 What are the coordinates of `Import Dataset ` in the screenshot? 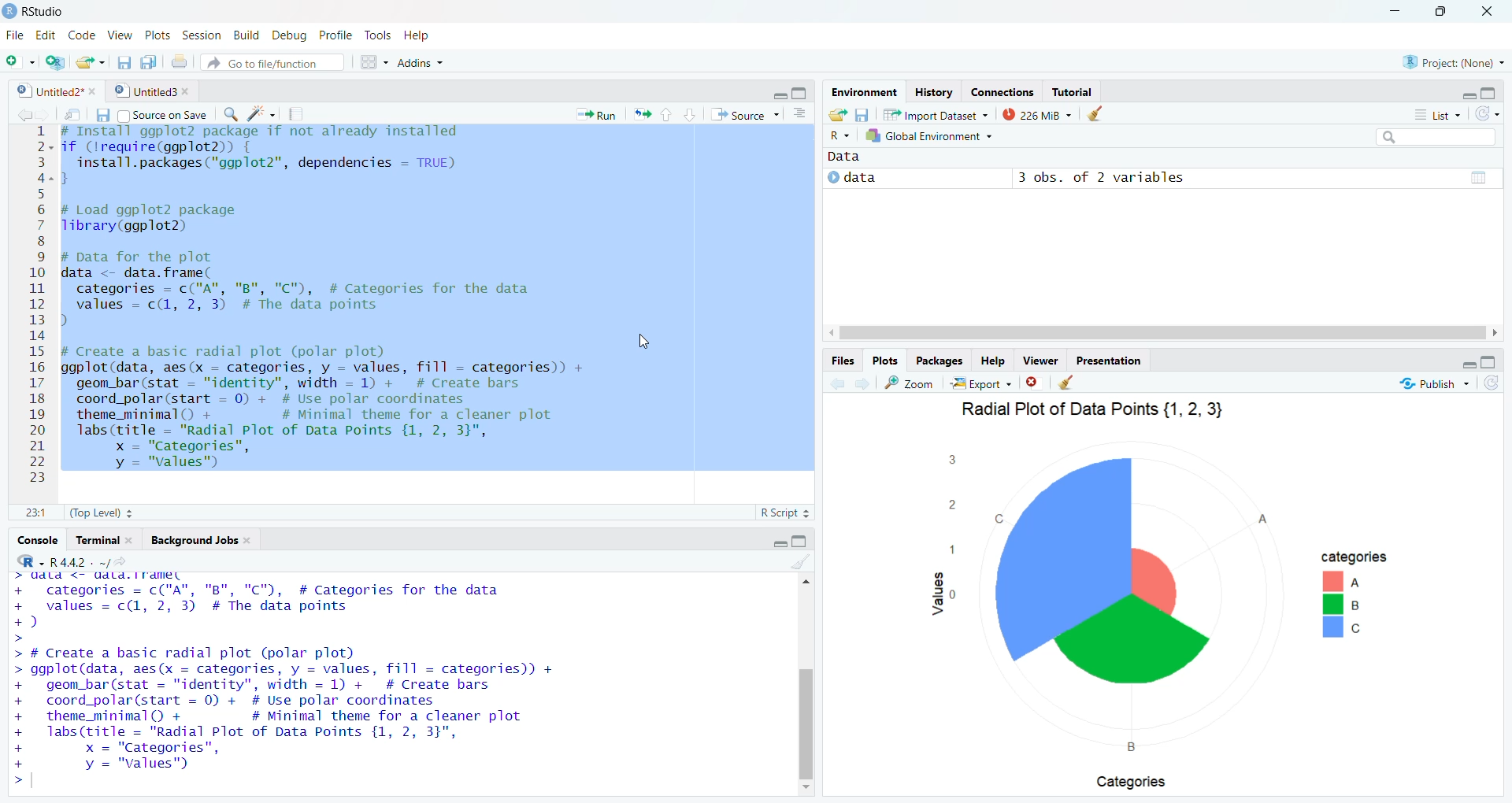 It's located at (939, 113).